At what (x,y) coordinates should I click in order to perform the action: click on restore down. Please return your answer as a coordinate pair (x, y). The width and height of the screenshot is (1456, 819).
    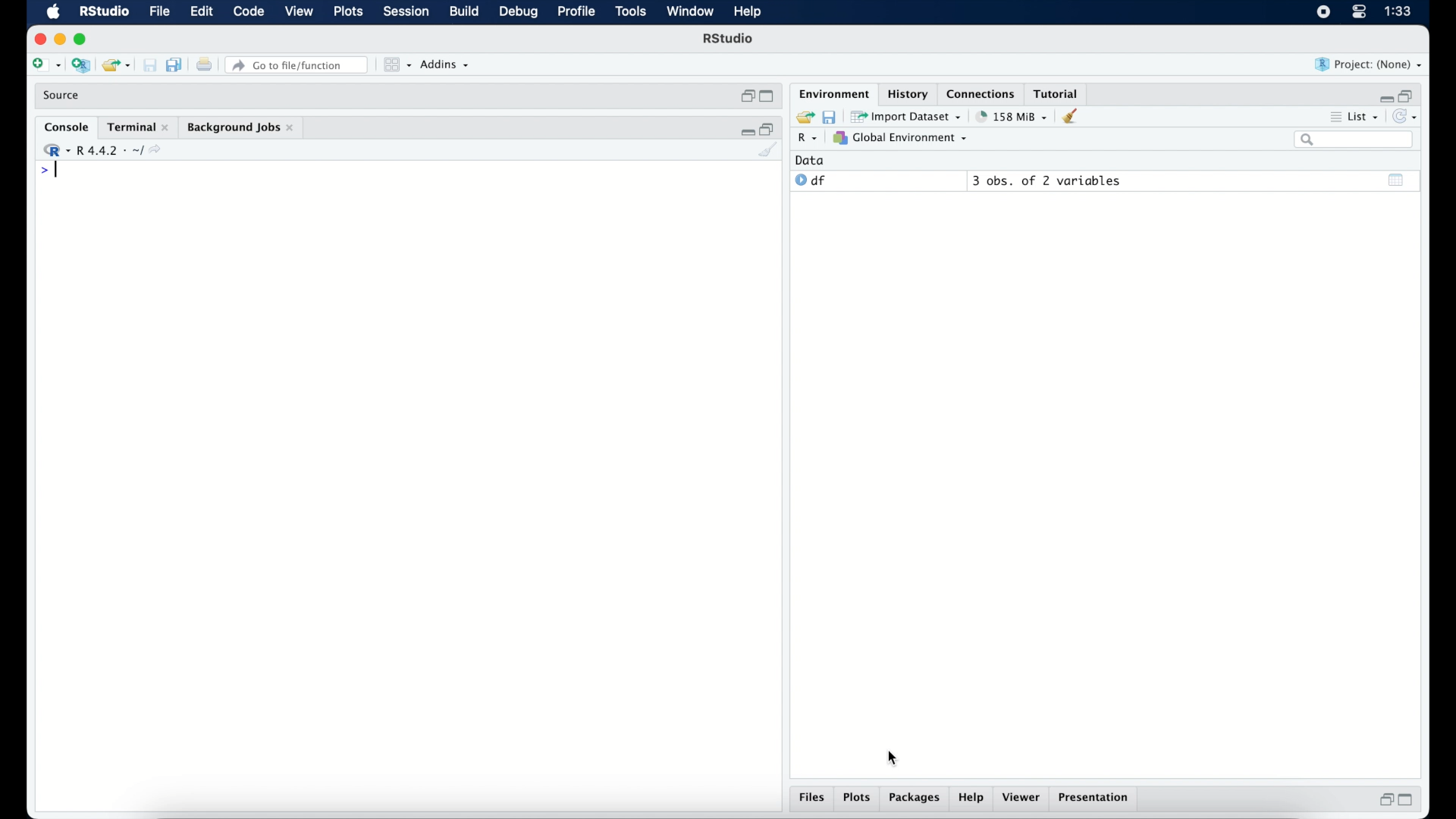
    Looking at the image, I should click on (1412, 96).